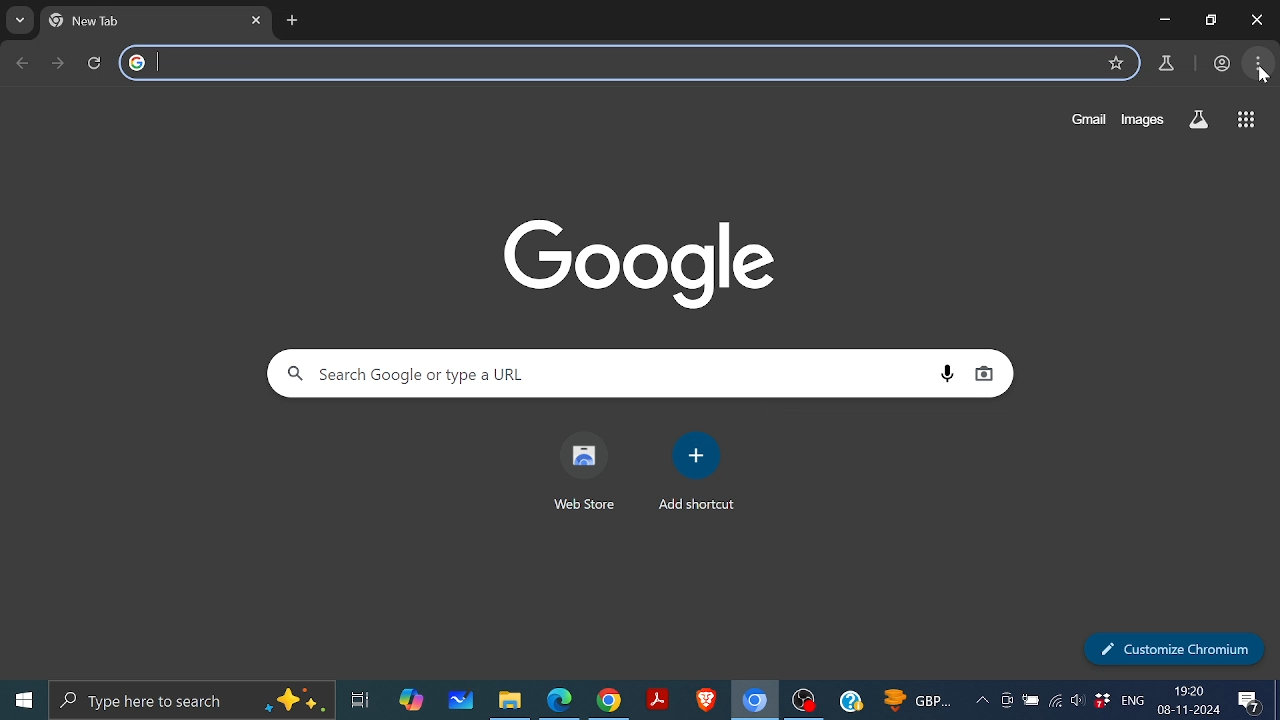 This screenshot has width=1280, height=720. I want to click on Chrome lab, so click(1166, 62).